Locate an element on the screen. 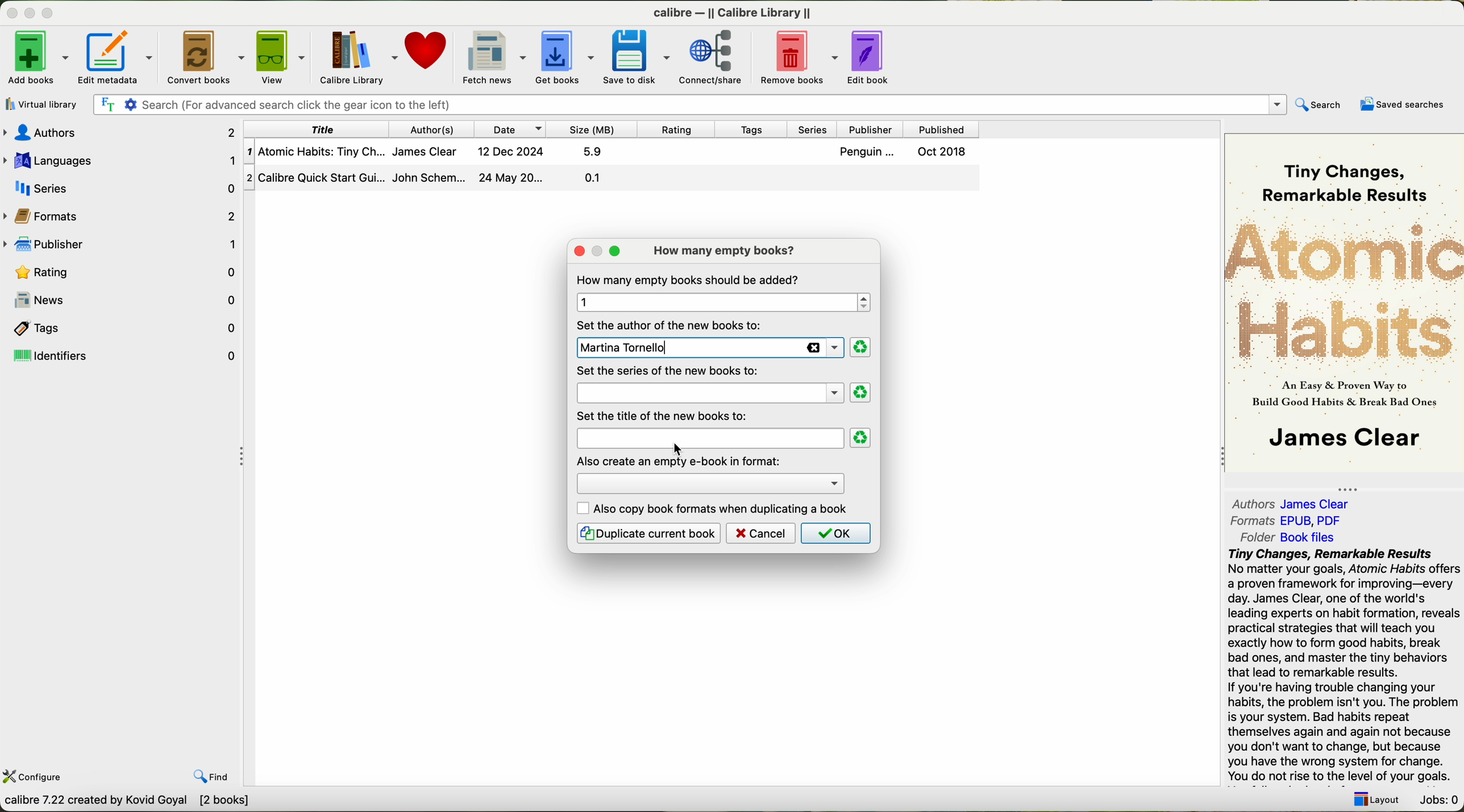 The height and width of the screenshot is (812, 1464). publisher is located at coordinates (871, 129).